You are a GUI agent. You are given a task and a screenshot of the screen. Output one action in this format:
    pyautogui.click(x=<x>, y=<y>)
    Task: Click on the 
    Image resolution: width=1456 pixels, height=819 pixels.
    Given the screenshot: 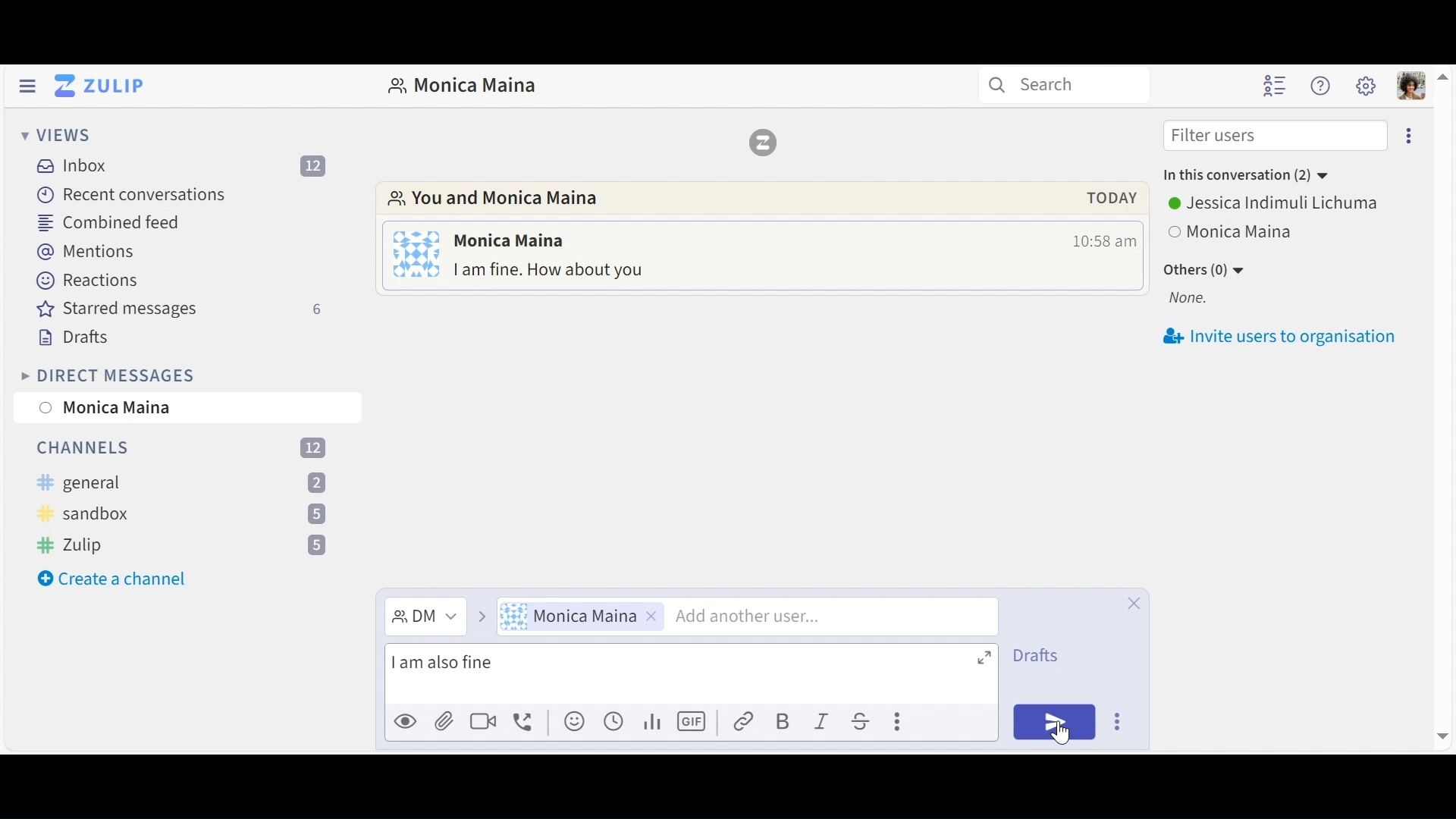 What is the action you would take?
    pyautogui.click(x=1289, y=206)
    